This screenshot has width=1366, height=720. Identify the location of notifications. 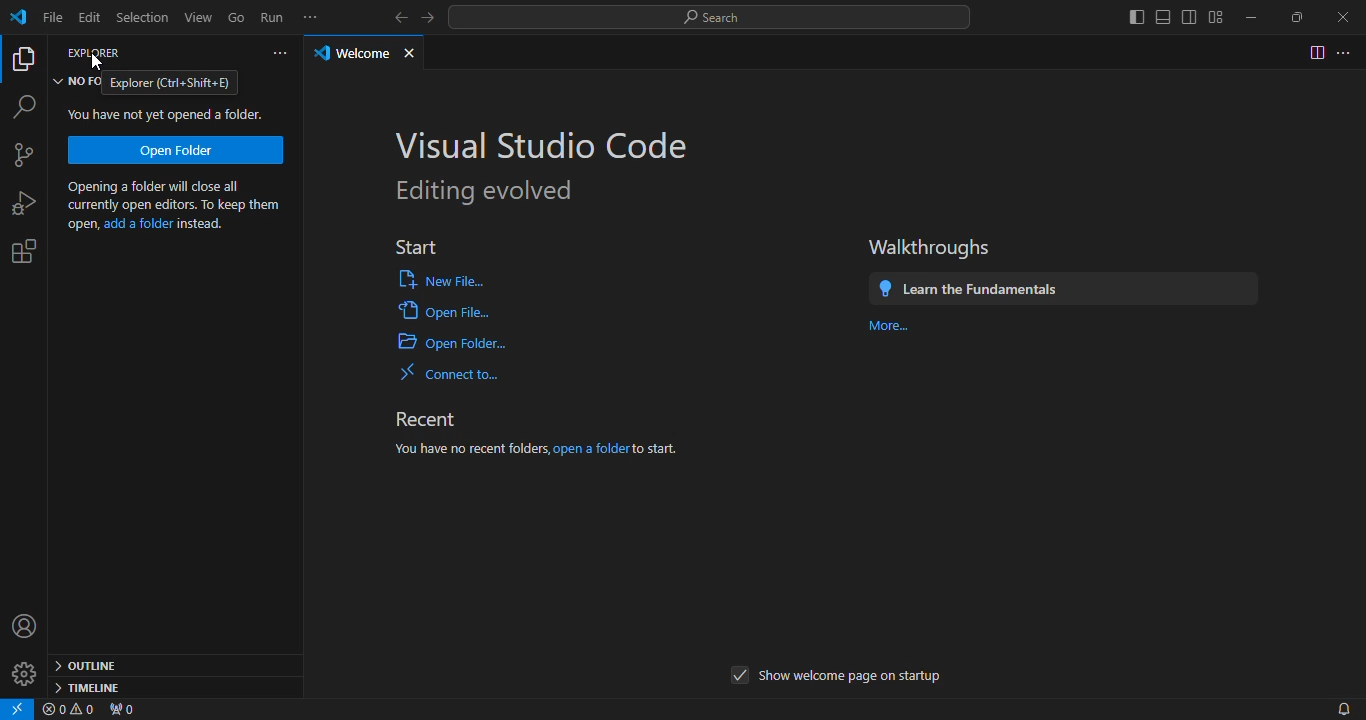
(1341, 707).